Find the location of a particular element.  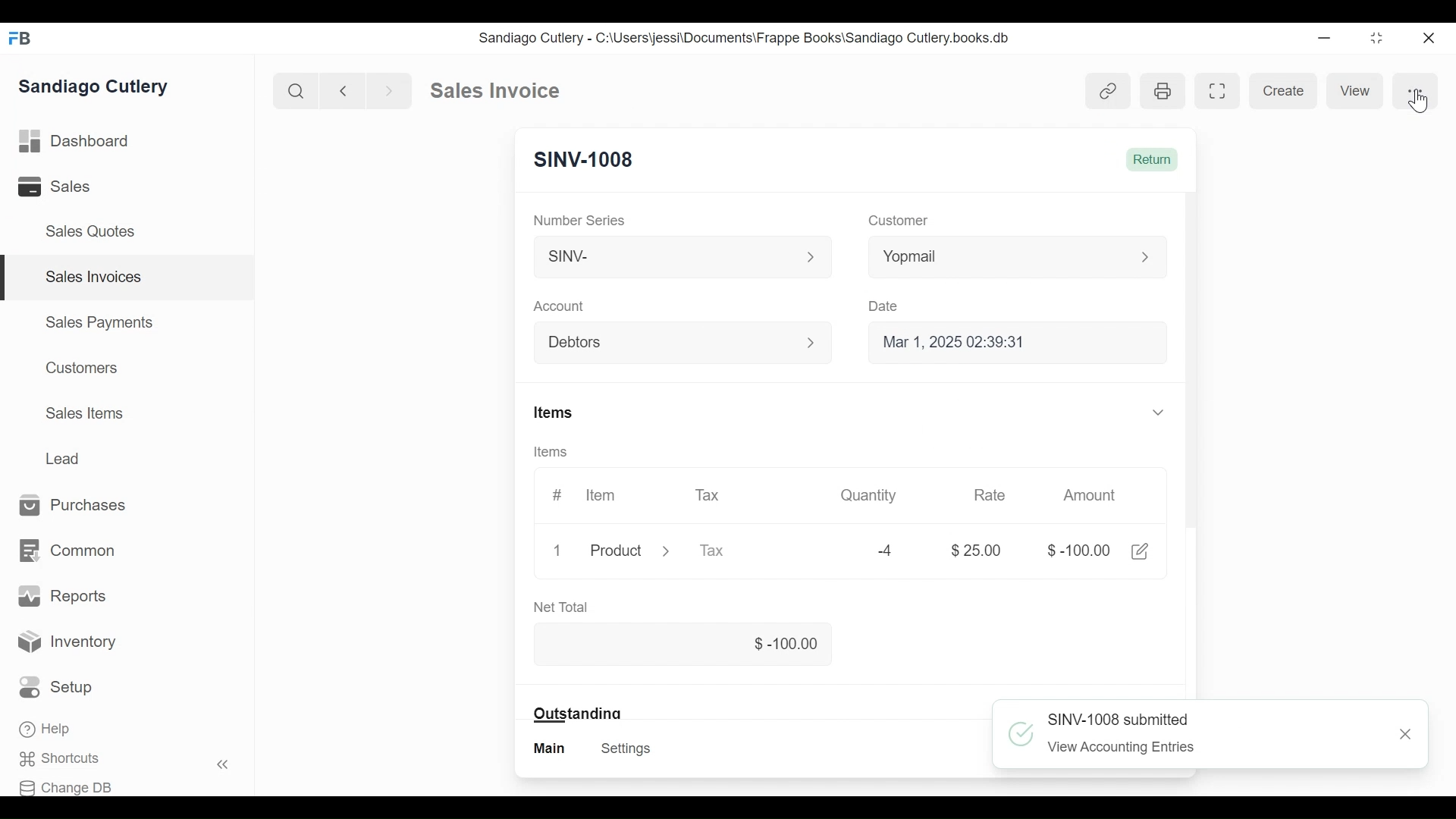

Rate is located at coordinates (990, 495).